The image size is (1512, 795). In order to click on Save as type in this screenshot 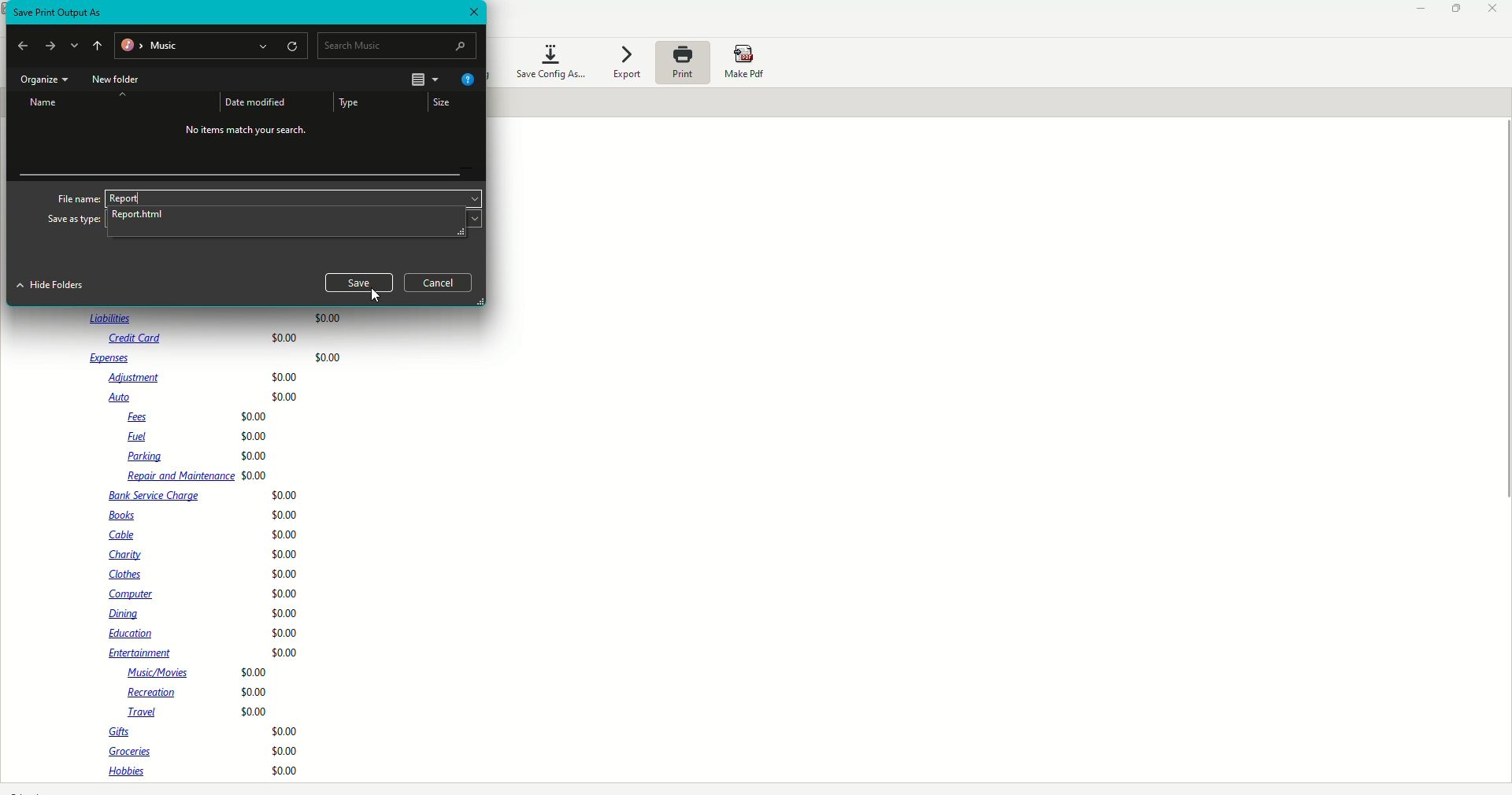, I will do `click(74, 220)`.